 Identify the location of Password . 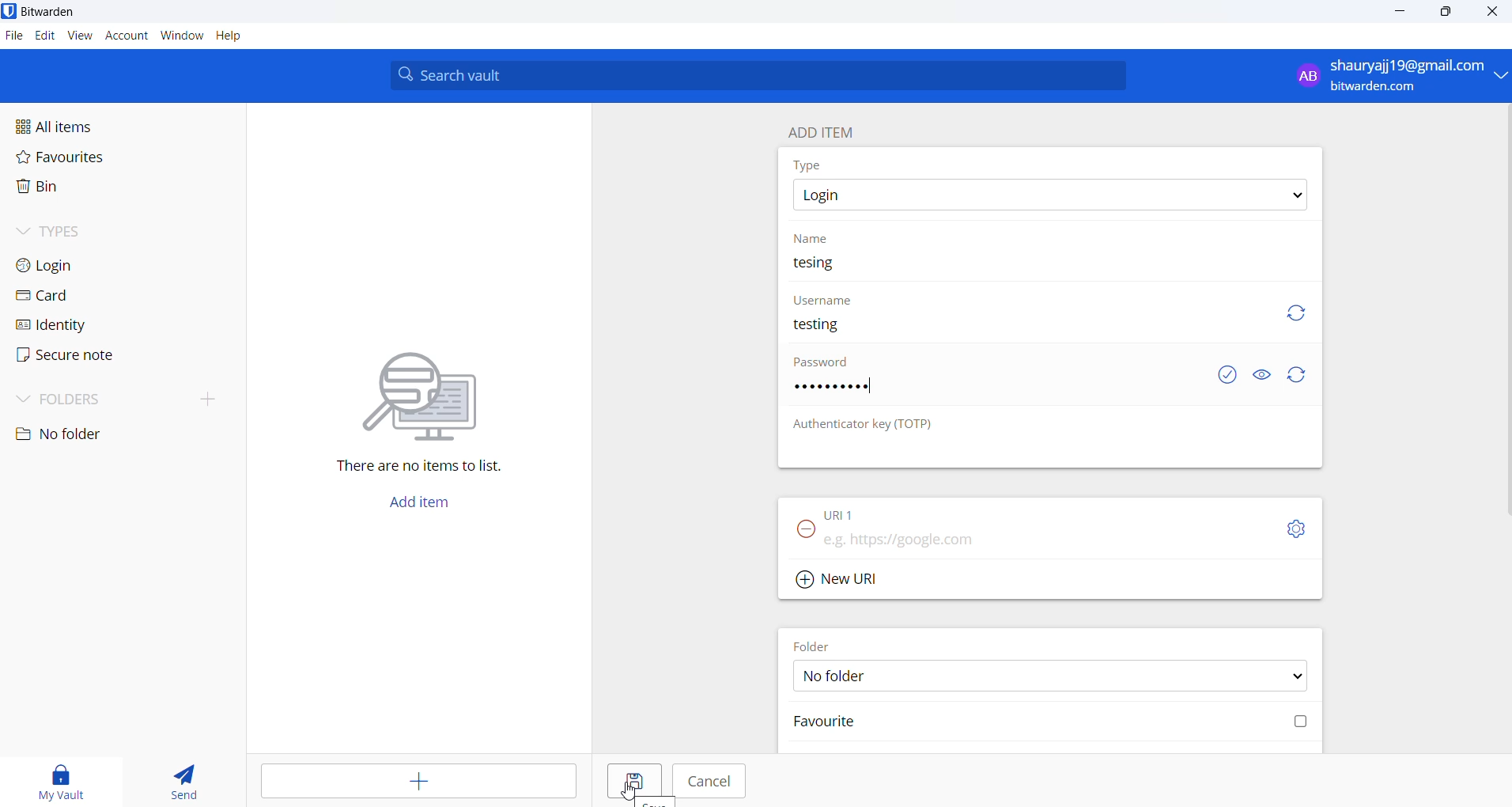
(825, 366).